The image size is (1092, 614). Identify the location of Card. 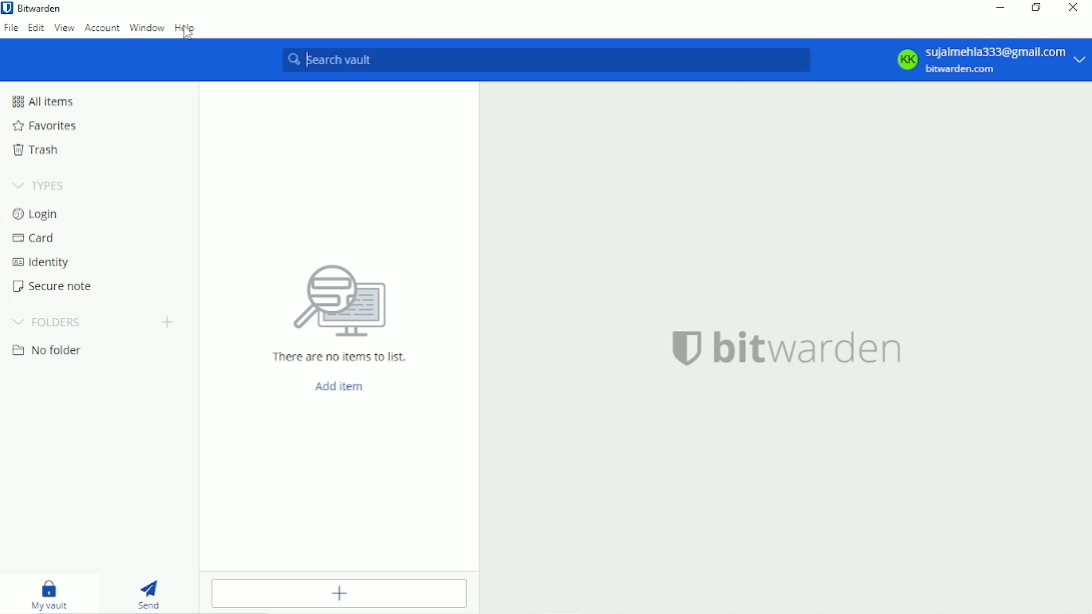
(35, 237).